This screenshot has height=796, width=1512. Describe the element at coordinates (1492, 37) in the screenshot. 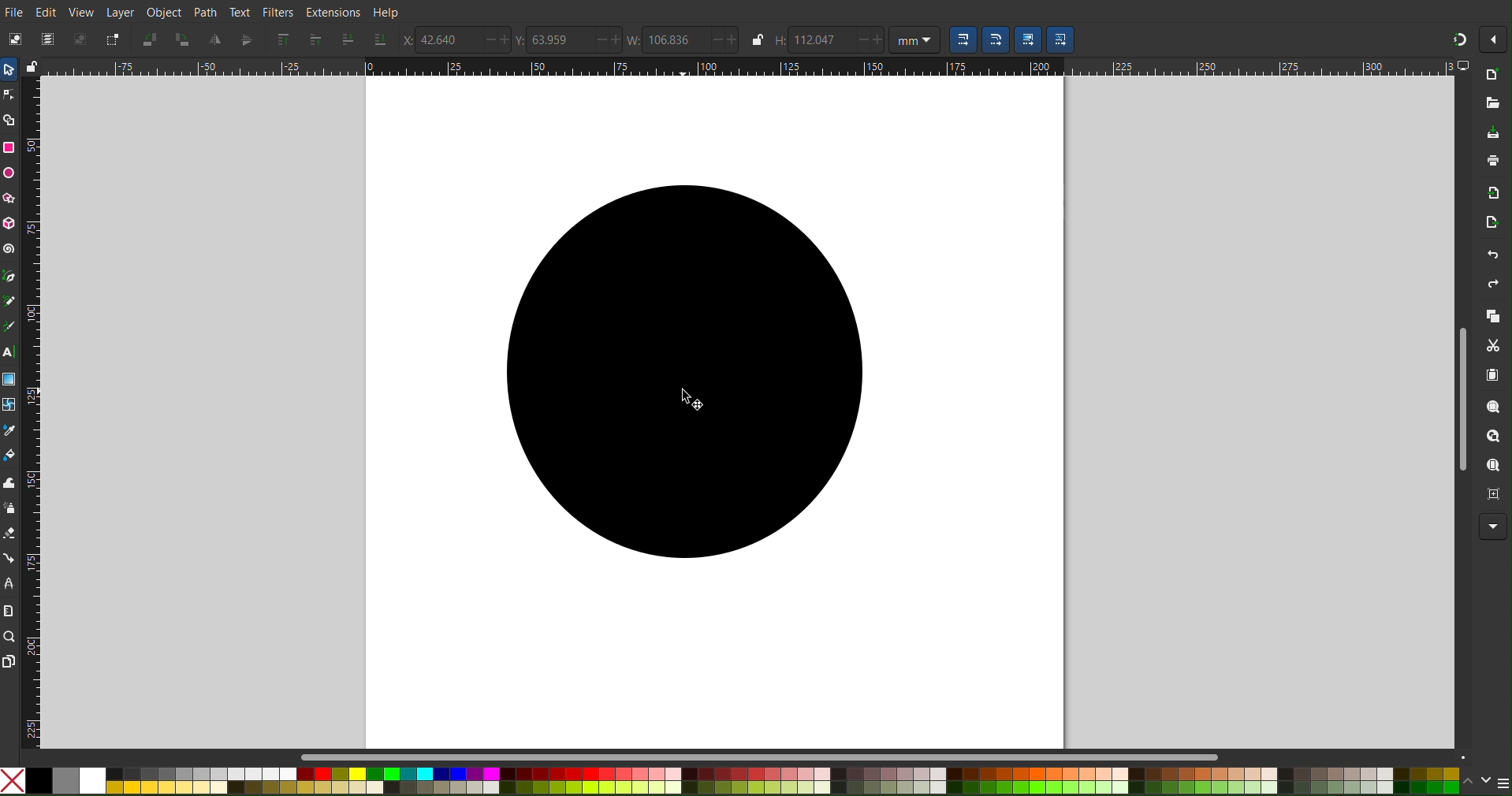

I see `More Options` at that location.